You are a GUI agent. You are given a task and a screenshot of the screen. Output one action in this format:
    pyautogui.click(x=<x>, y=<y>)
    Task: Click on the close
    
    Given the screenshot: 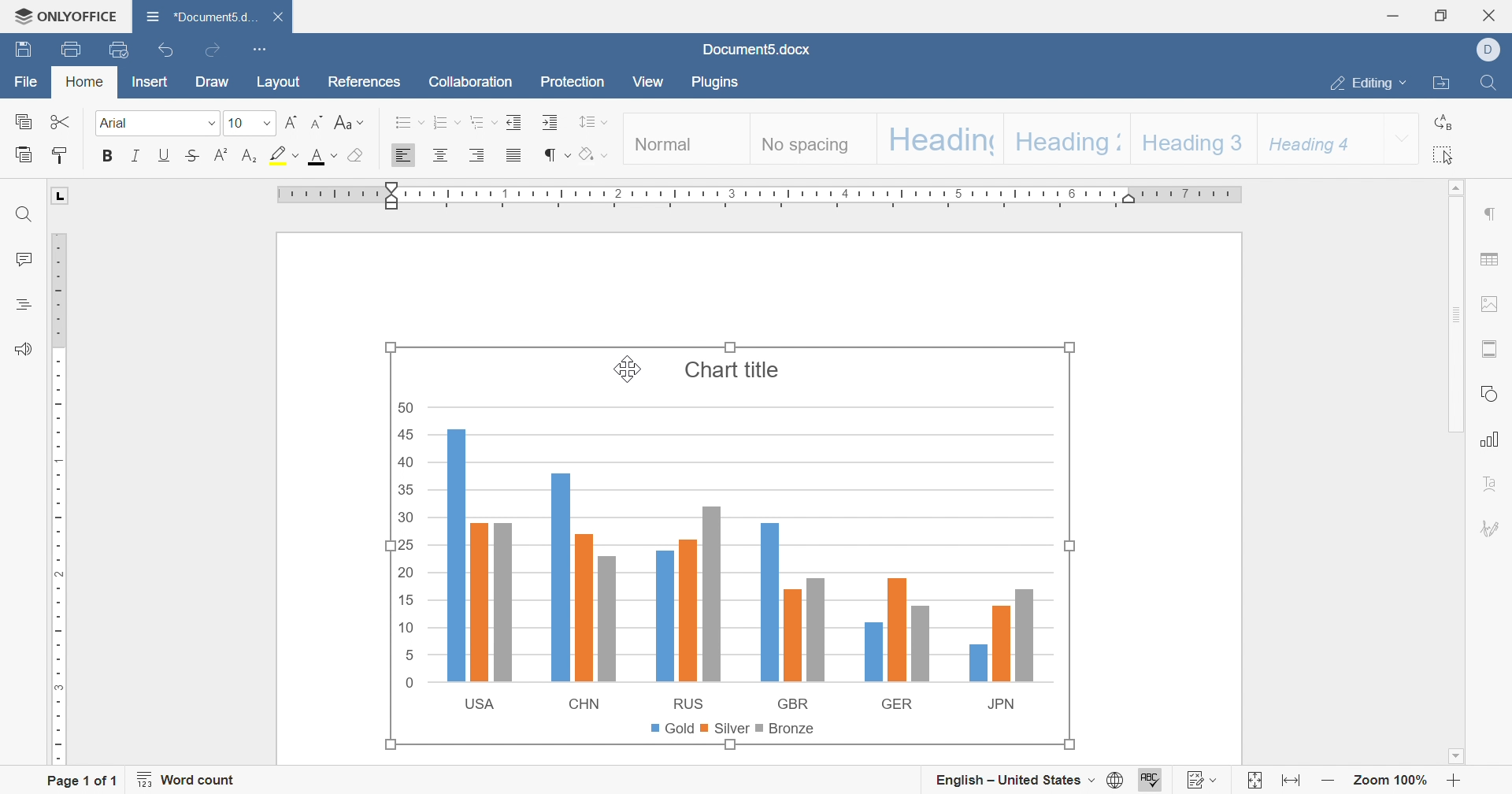 What is the action you would take?
    pyautogui.click(x=280, y=17)
    